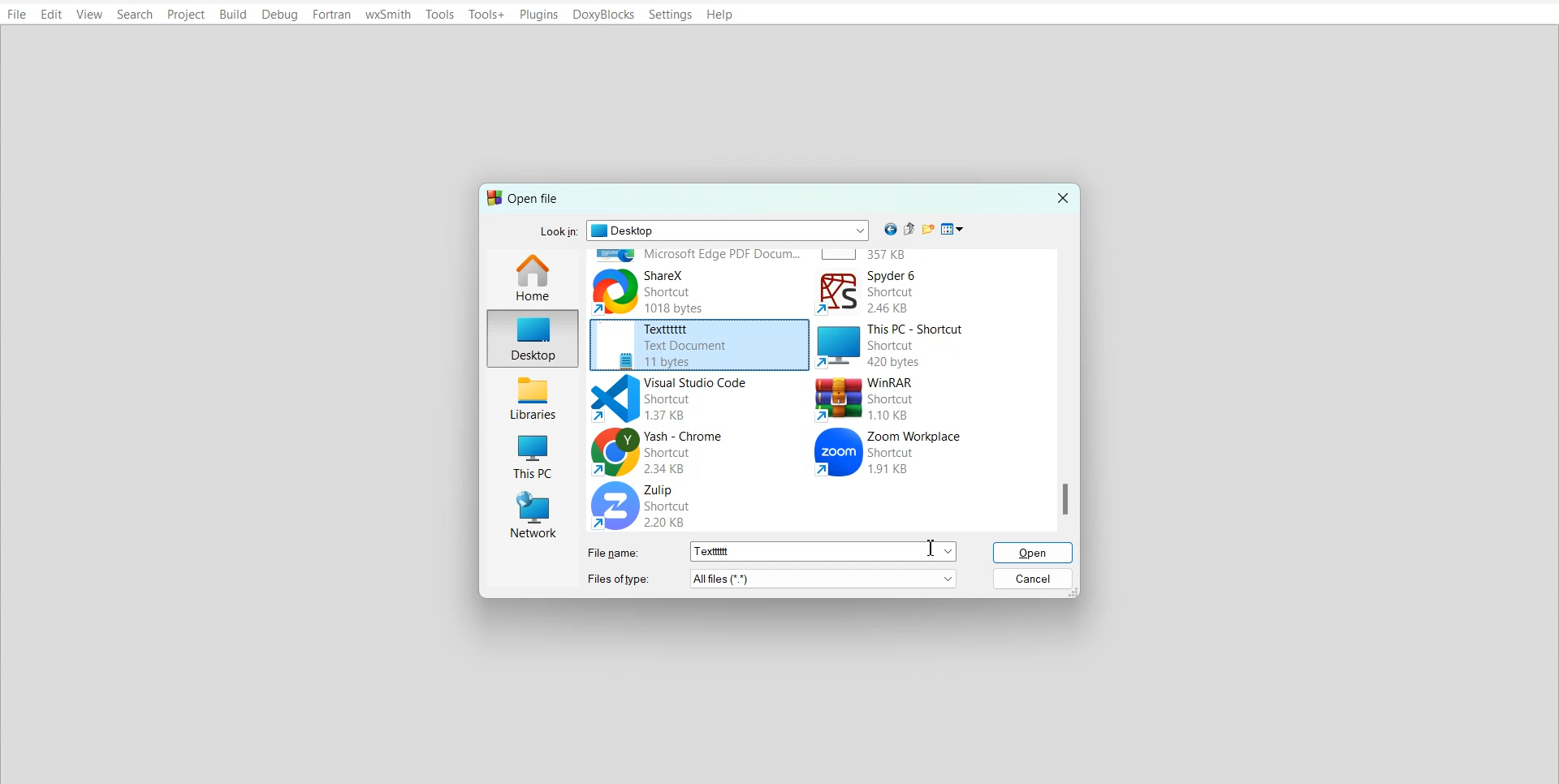 The height and width of the screenshot is (784, 1559). Describe the element at coordinates (916, 397) in the screenshot. I see `WinRAR` at that location.